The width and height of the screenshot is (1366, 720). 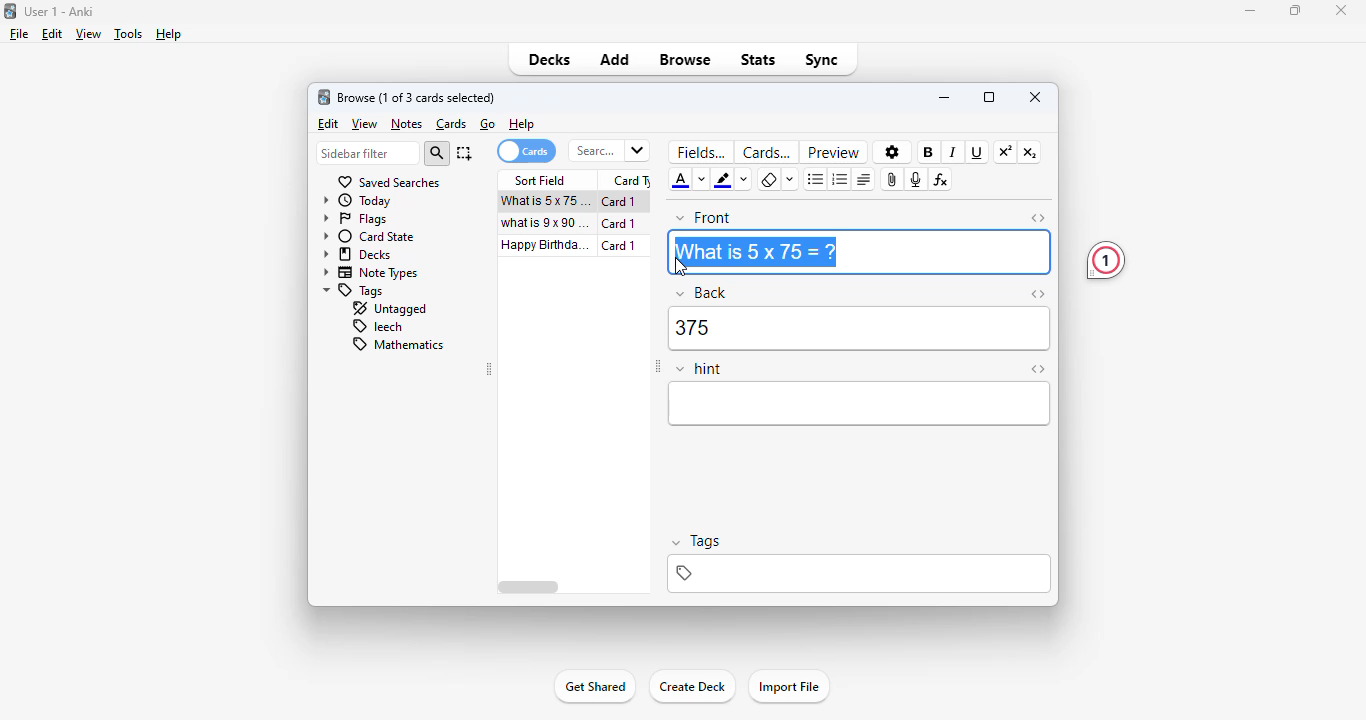 I want to click on italic, so click(x=954, y=152).